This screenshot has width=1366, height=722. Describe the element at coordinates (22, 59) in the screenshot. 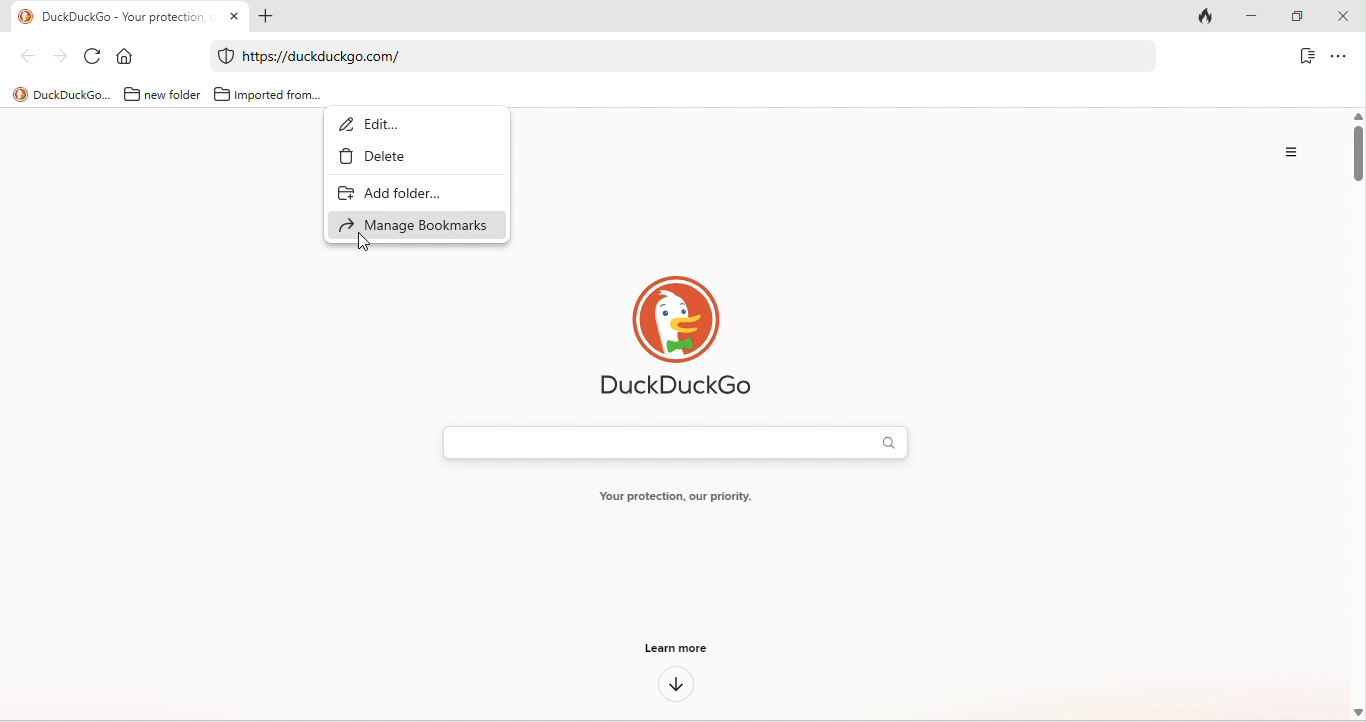

I see `back` at that location.